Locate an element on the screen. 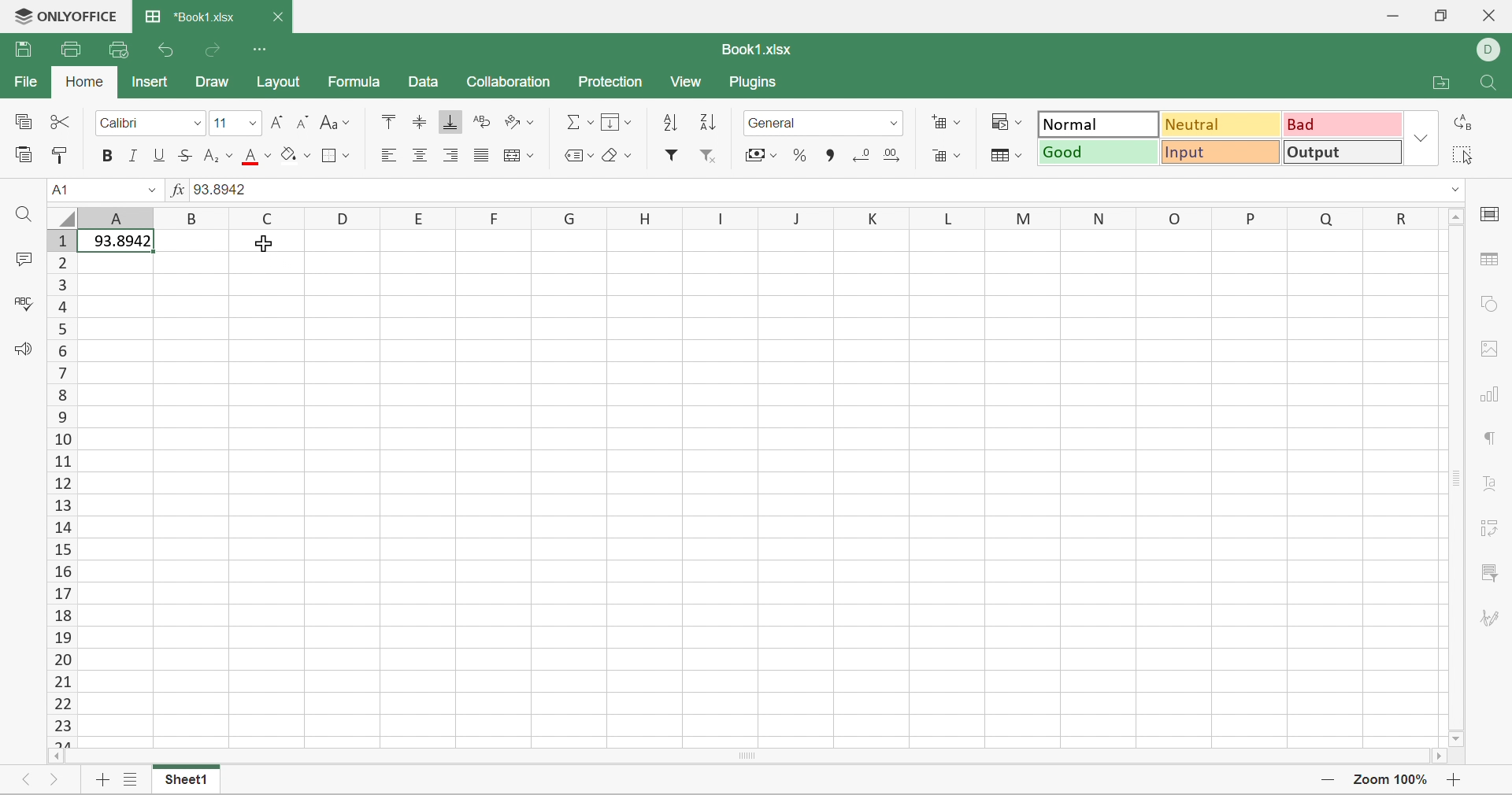 The width and height of the screenshot is (1512, 795). 93.8942 is located at coordinates (226, 189).